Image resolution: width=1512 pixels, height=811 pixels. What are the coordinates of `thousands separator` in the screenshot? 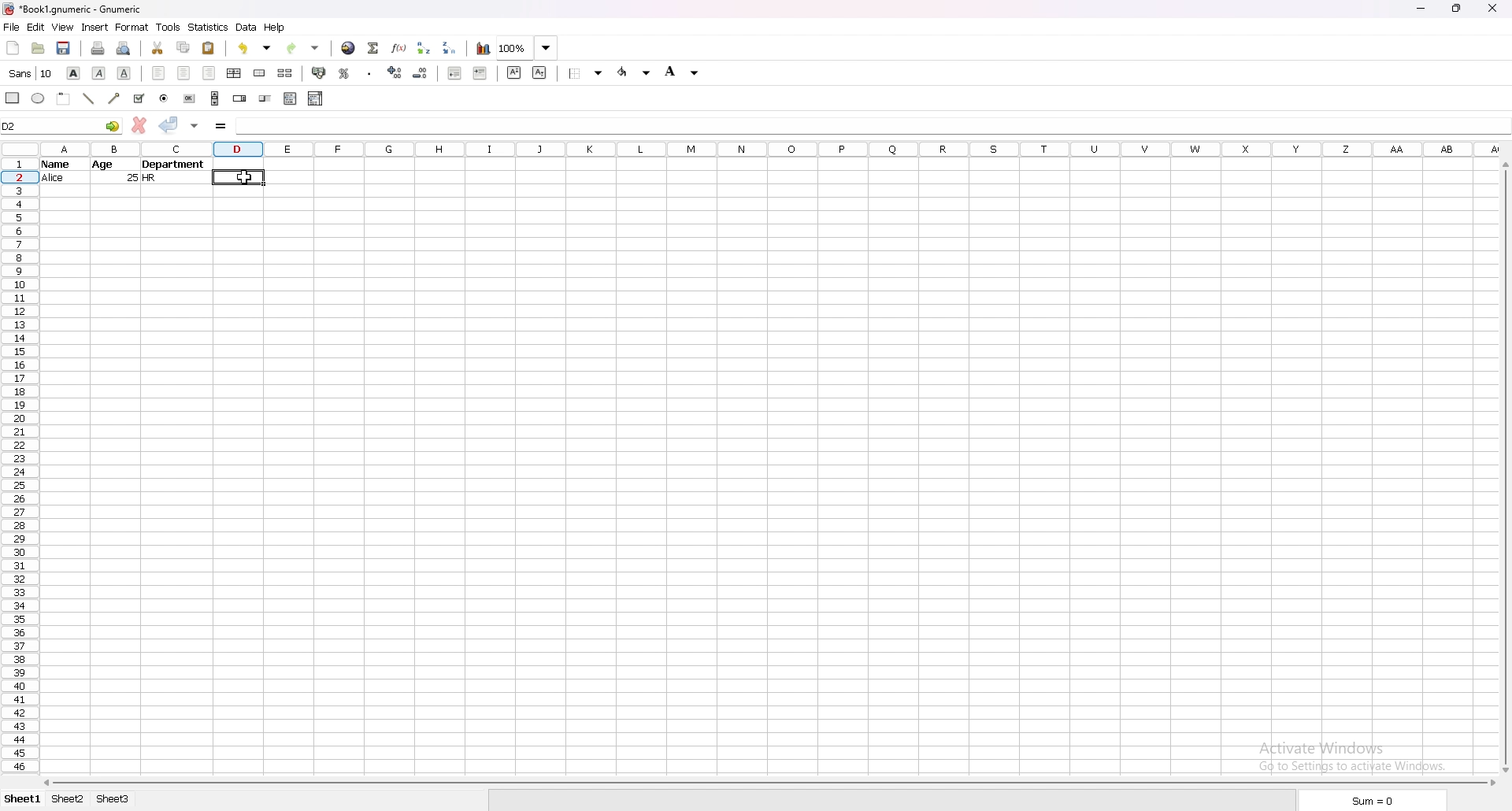 It's located at (370, 72).